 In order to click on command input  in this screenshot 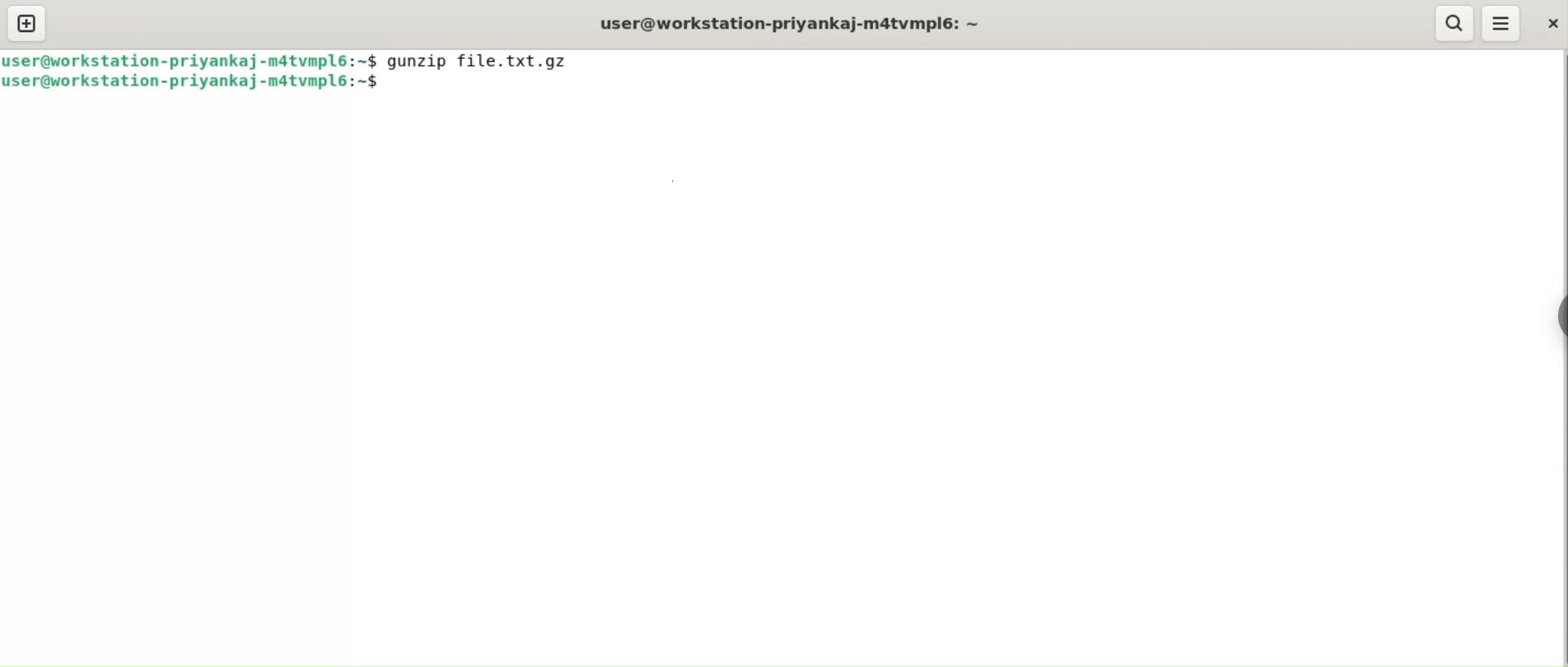, I will do `click(970, 88)`.